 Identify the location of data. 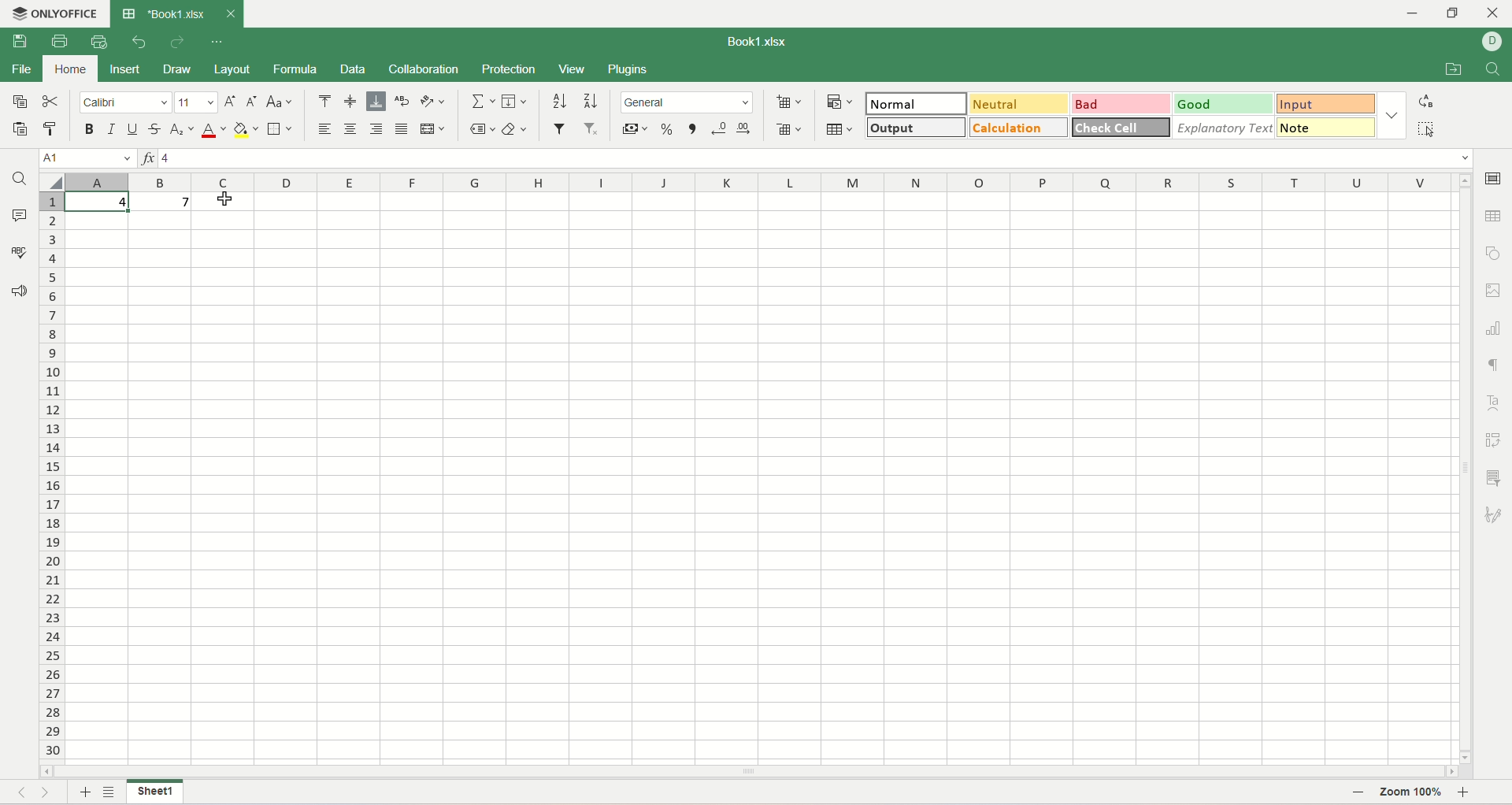
(353, 69).